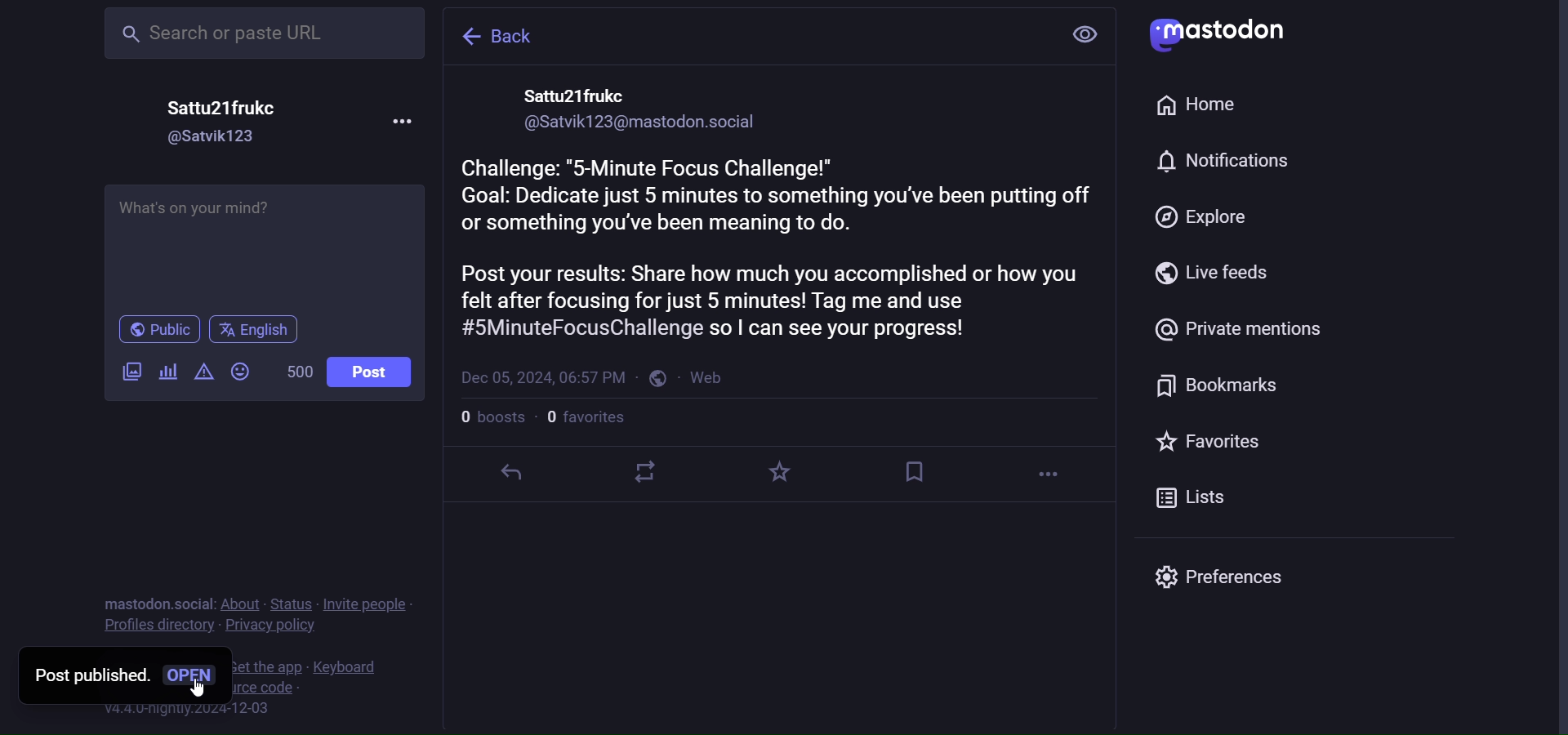 The image size is (1568, 735). I want to click on post published, so click(89, 676).